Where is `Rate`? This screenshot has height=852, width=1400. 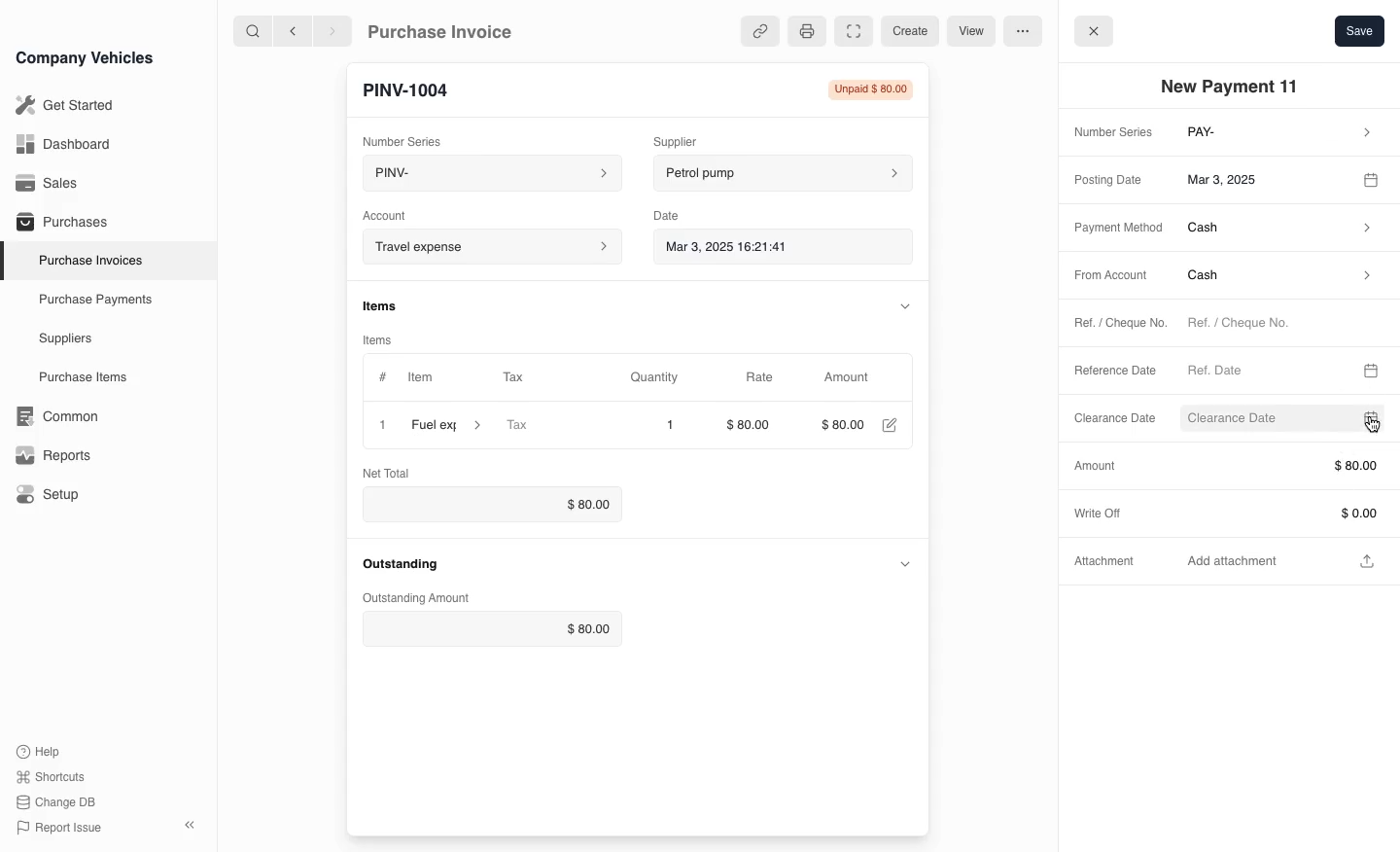 Rate is located at coordinates (757, 377).